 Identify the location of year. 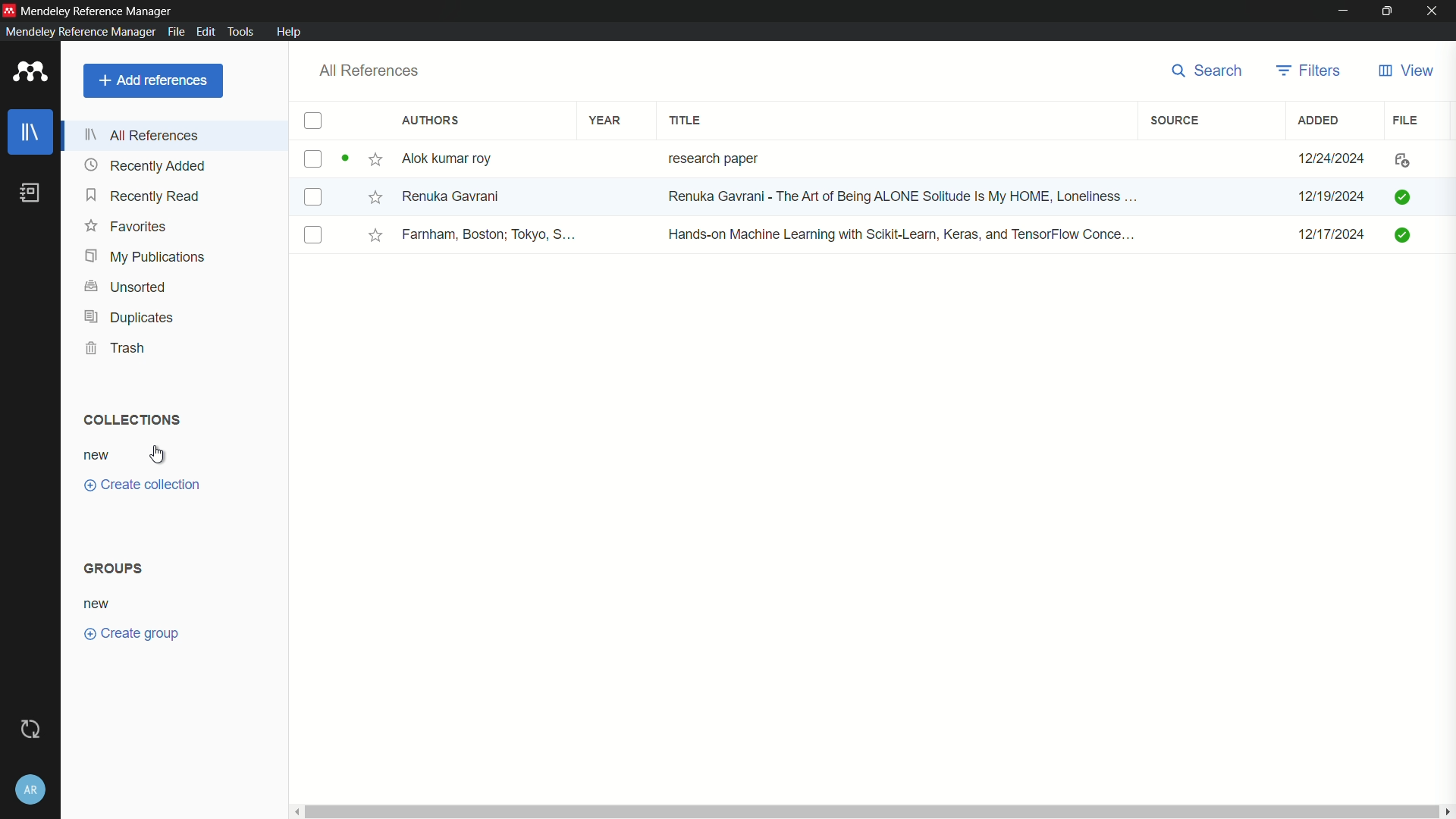
(604, 121).